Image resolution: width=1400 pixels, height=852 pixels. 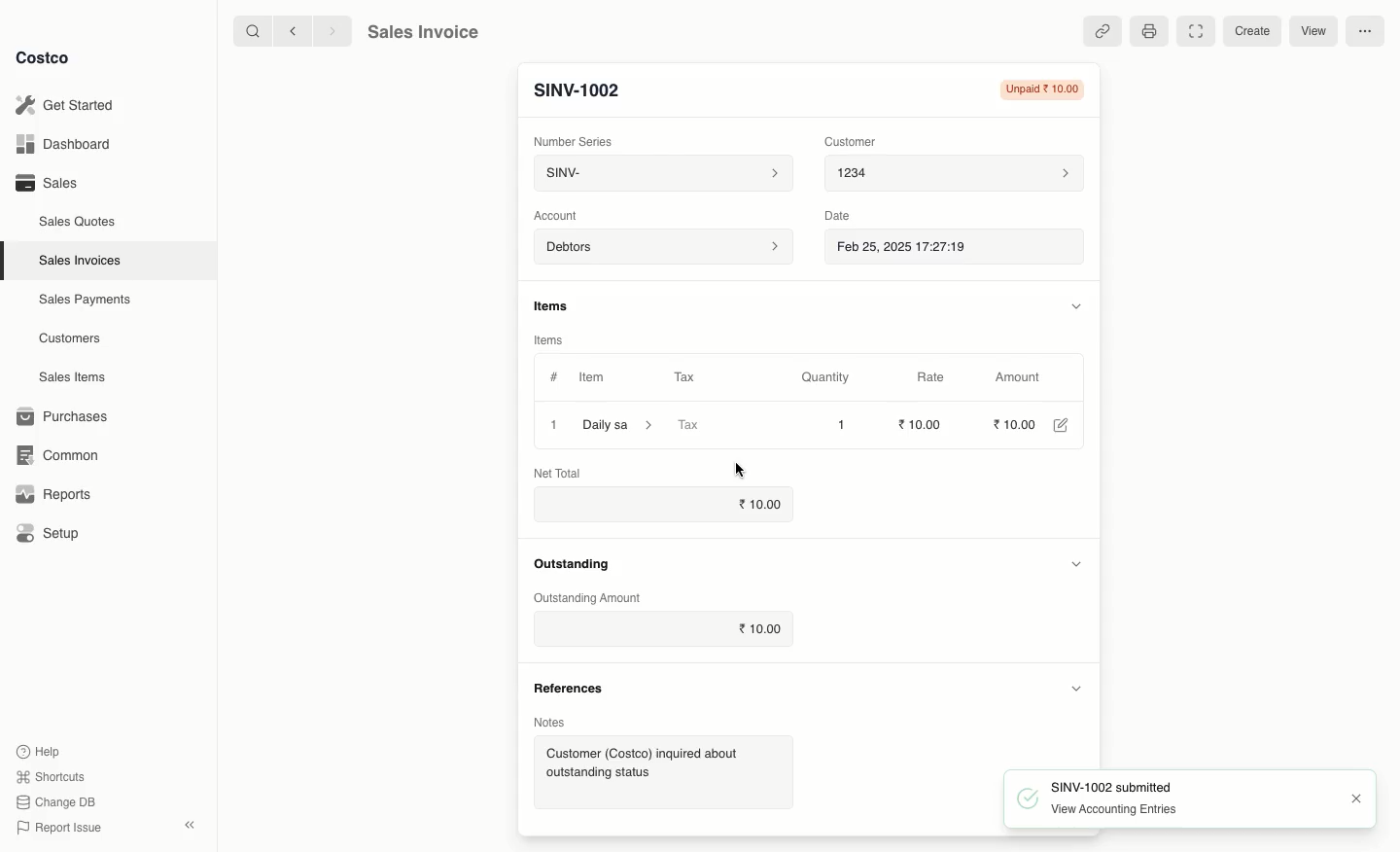 I want to click on View, so click(x=1319, y=30).